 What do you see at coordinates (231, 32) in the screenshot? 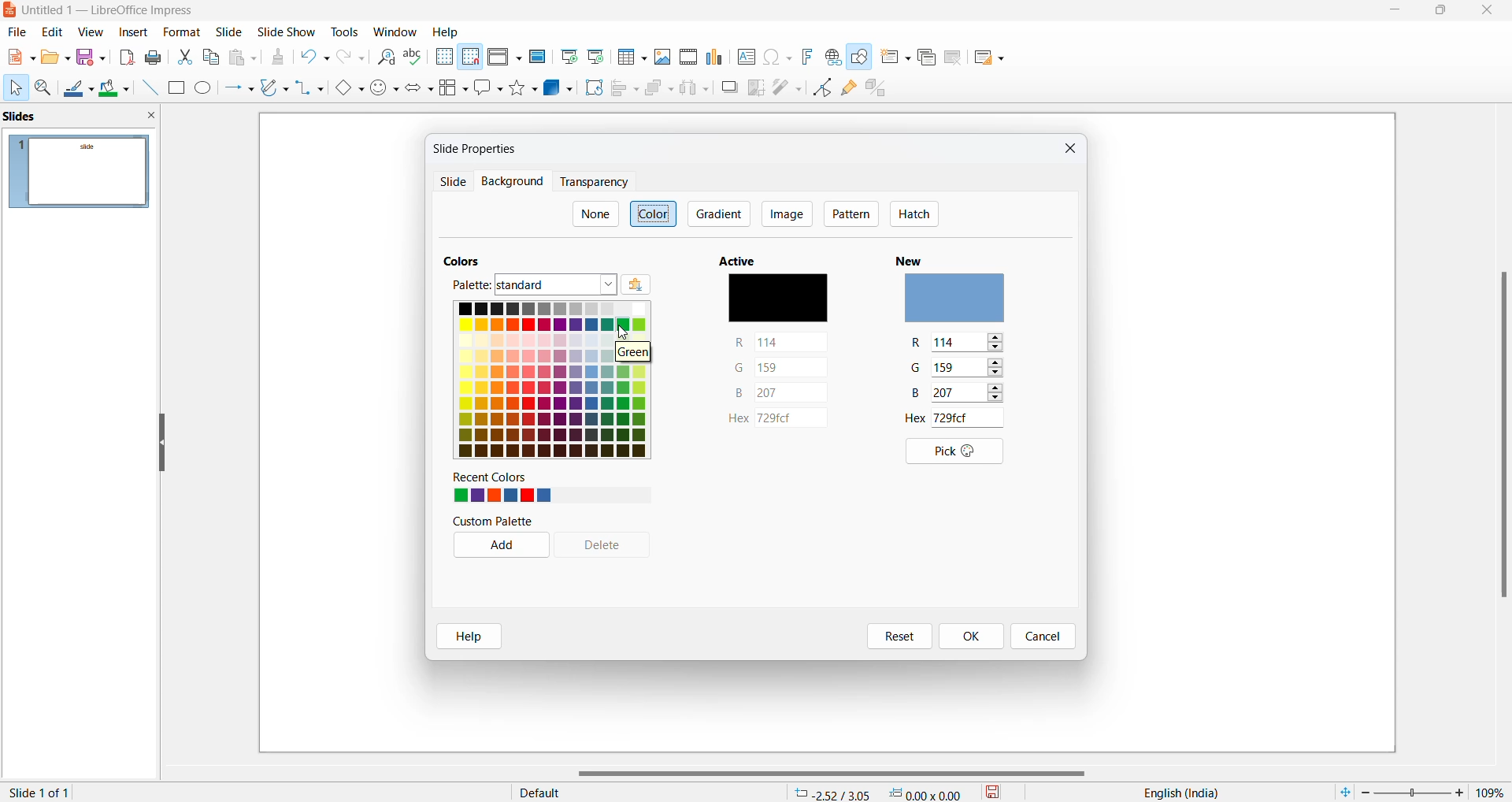
I see `slide` at bounding box center [231, 32].